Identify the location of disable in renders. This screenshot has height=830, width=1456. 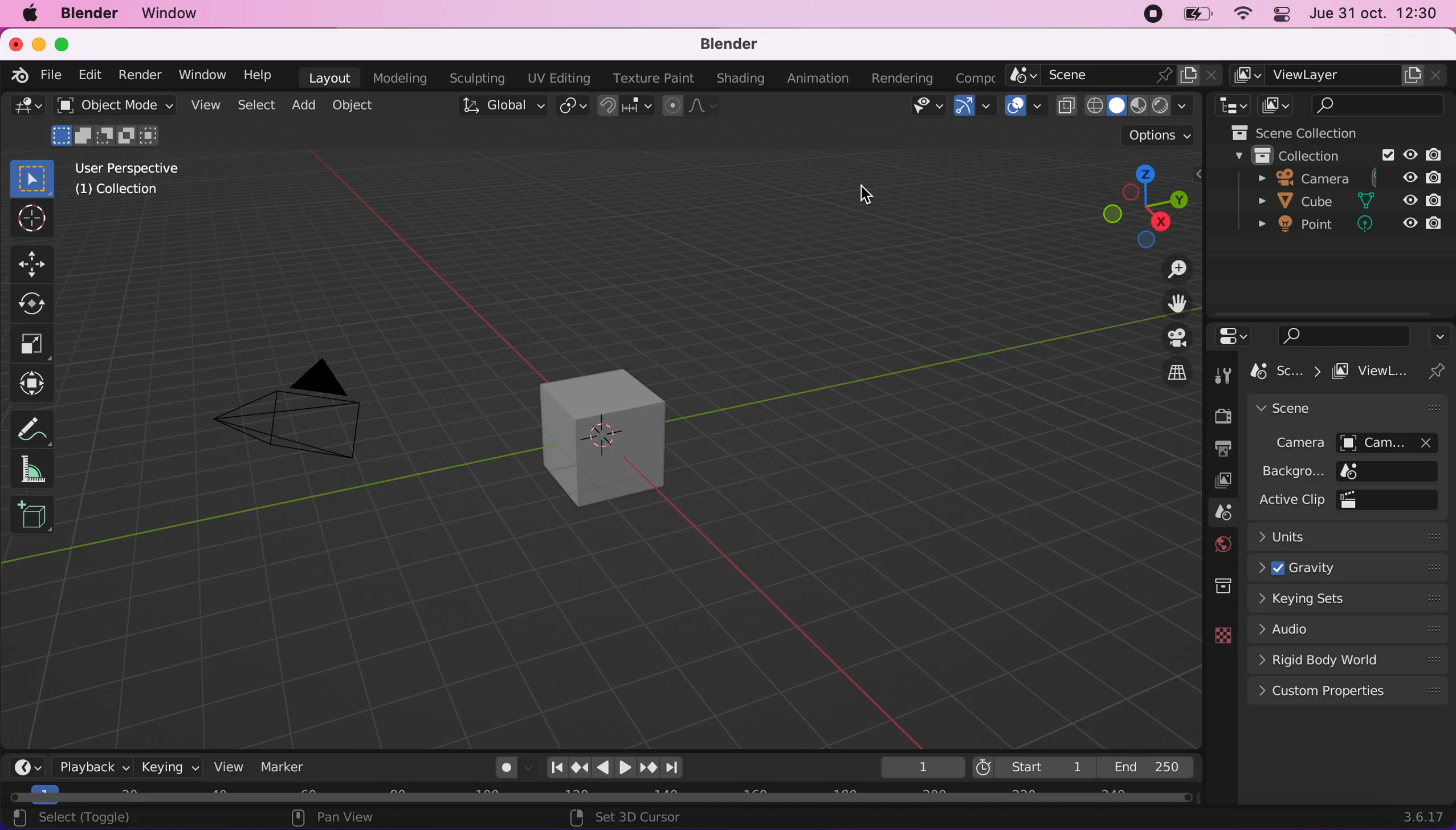
(1435, 179).